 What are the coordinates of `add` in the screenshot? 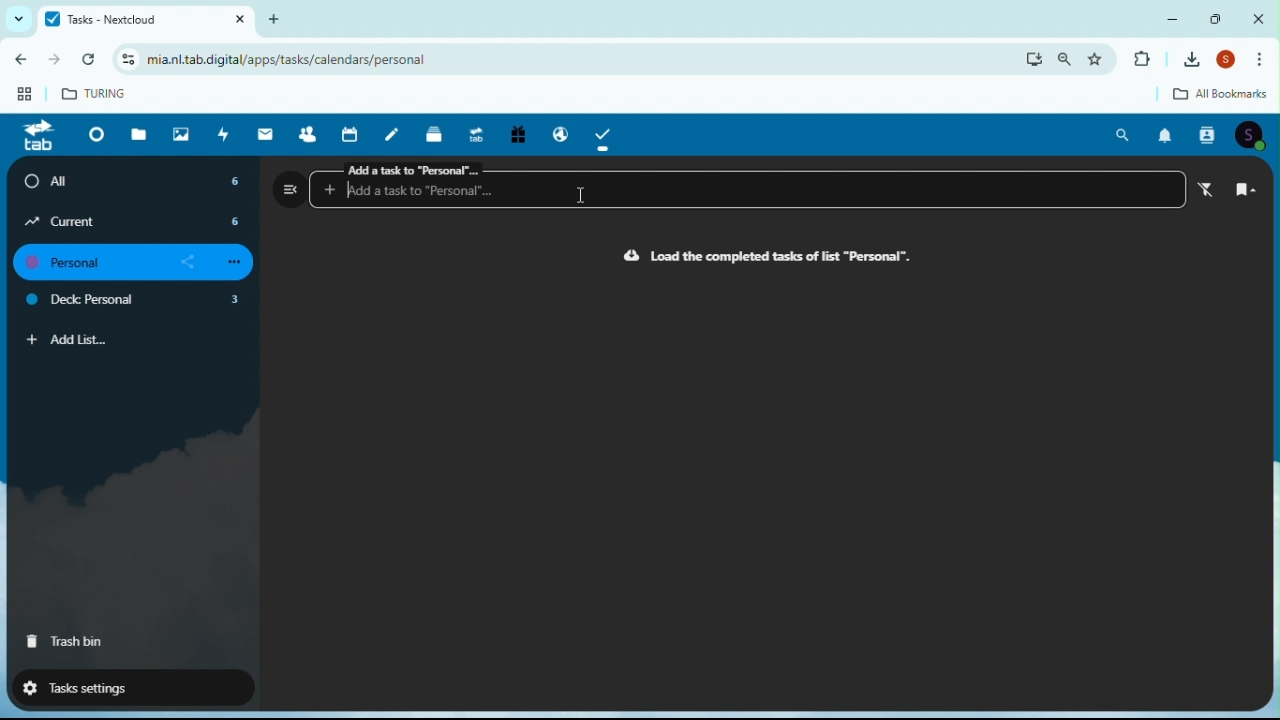 It's located at (281, 18).